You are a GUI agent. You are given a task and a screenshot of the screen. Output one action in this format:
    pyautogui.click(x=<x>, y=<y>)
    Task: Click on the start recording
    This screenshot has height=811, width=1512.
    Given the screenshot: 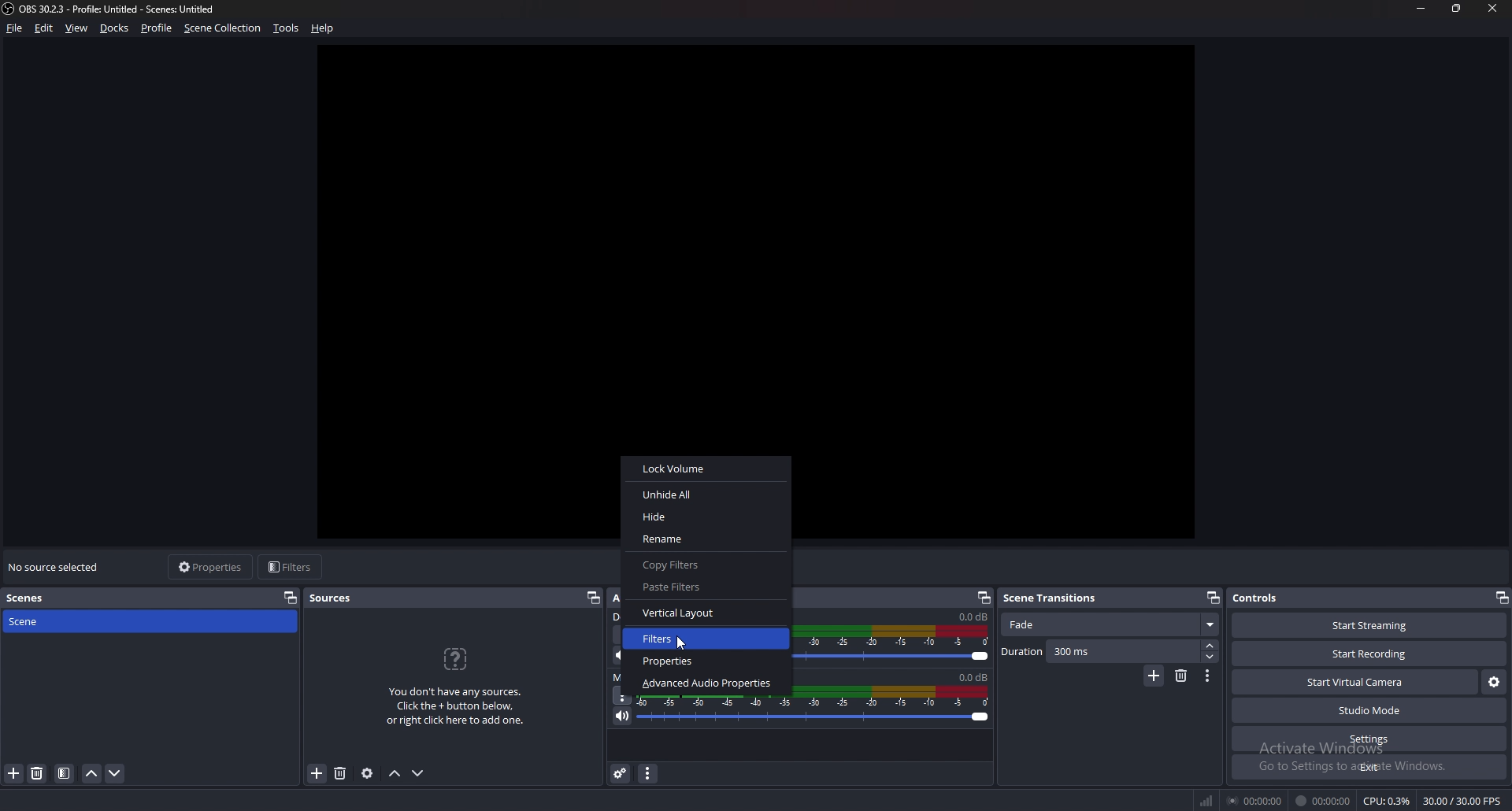 What is the action you would take?
    pyautogui.click(x=1369, y=654)
    